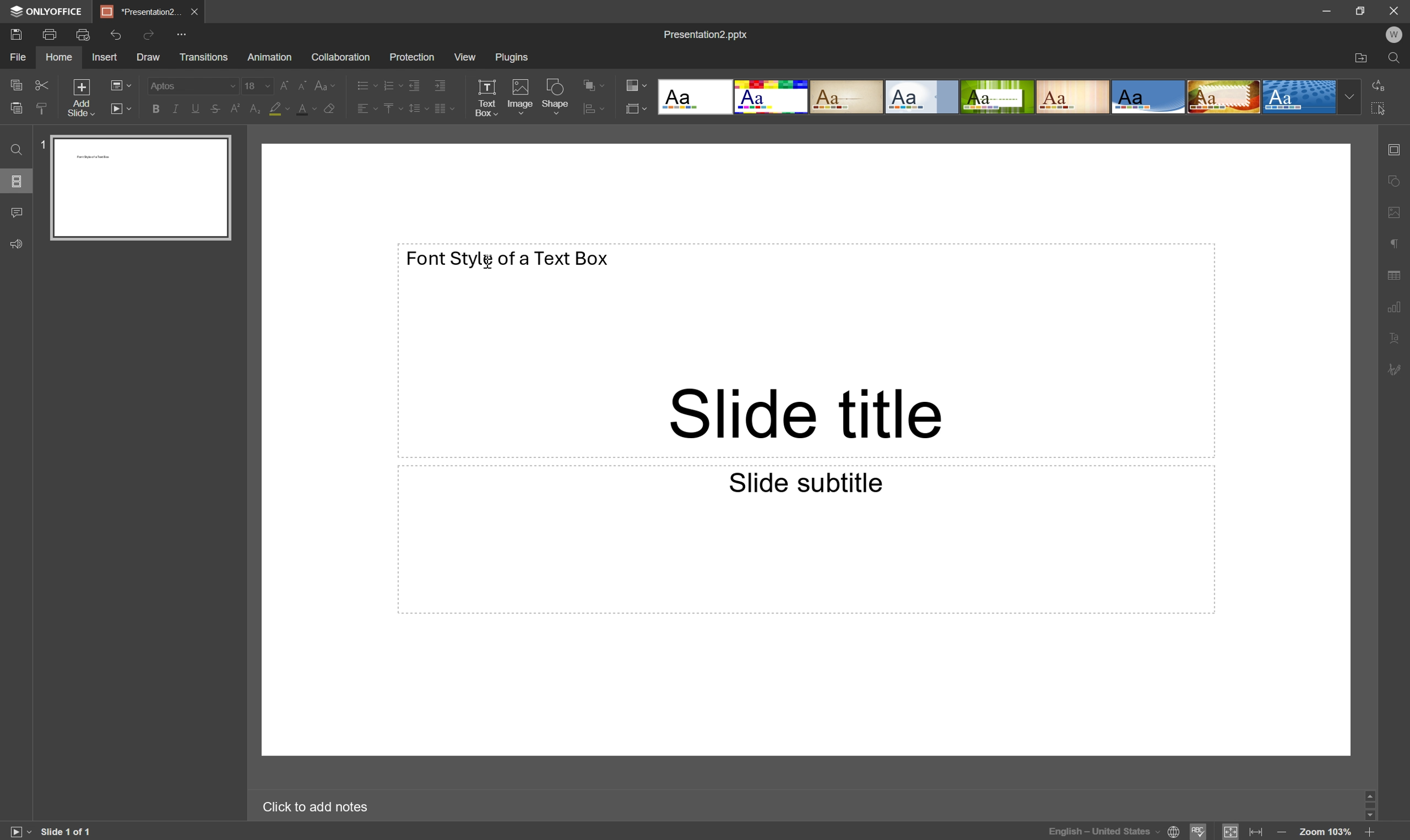 Image resolution: width=1410 pixels, height=840 pixels. What do you see at coordinates (413, 82) in the screenshot?
I see `Decrease indent` at bounding box center [413, 82].